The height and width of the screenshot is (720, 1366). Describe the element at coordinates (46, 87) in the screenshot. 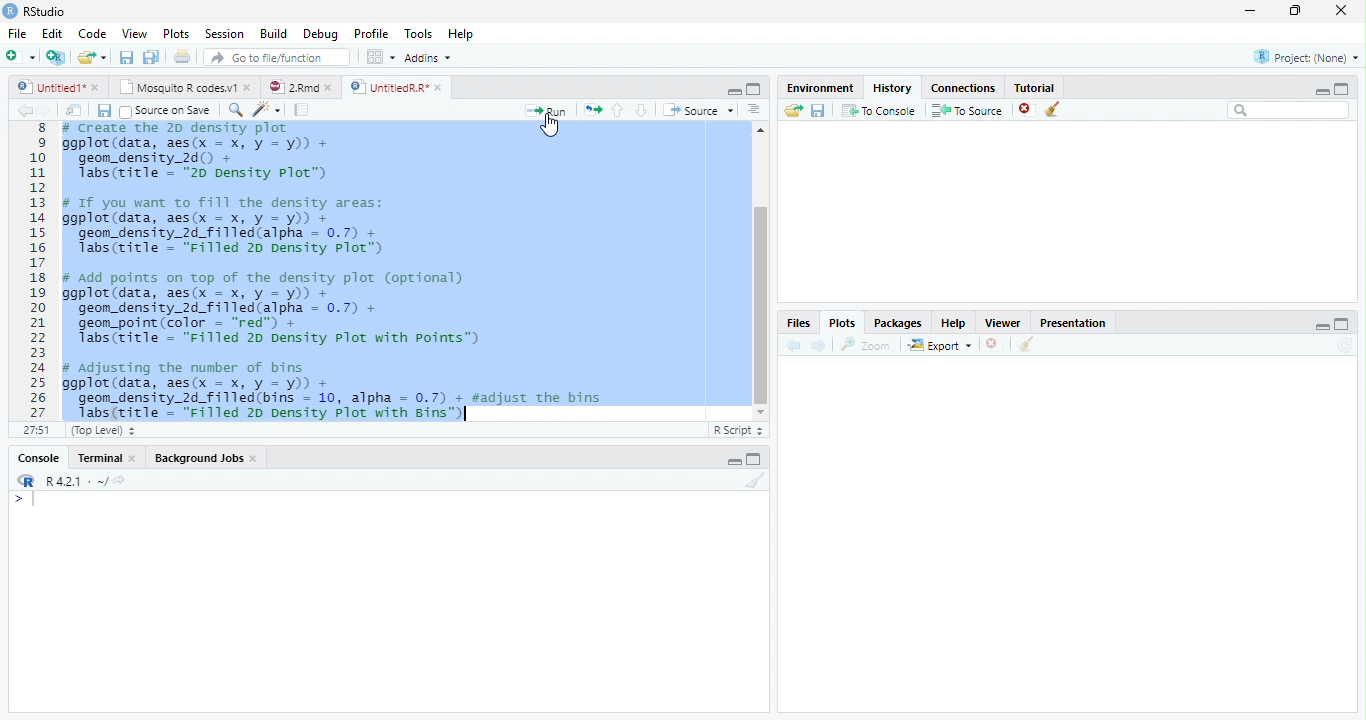

I see `Untitled1` at that location.